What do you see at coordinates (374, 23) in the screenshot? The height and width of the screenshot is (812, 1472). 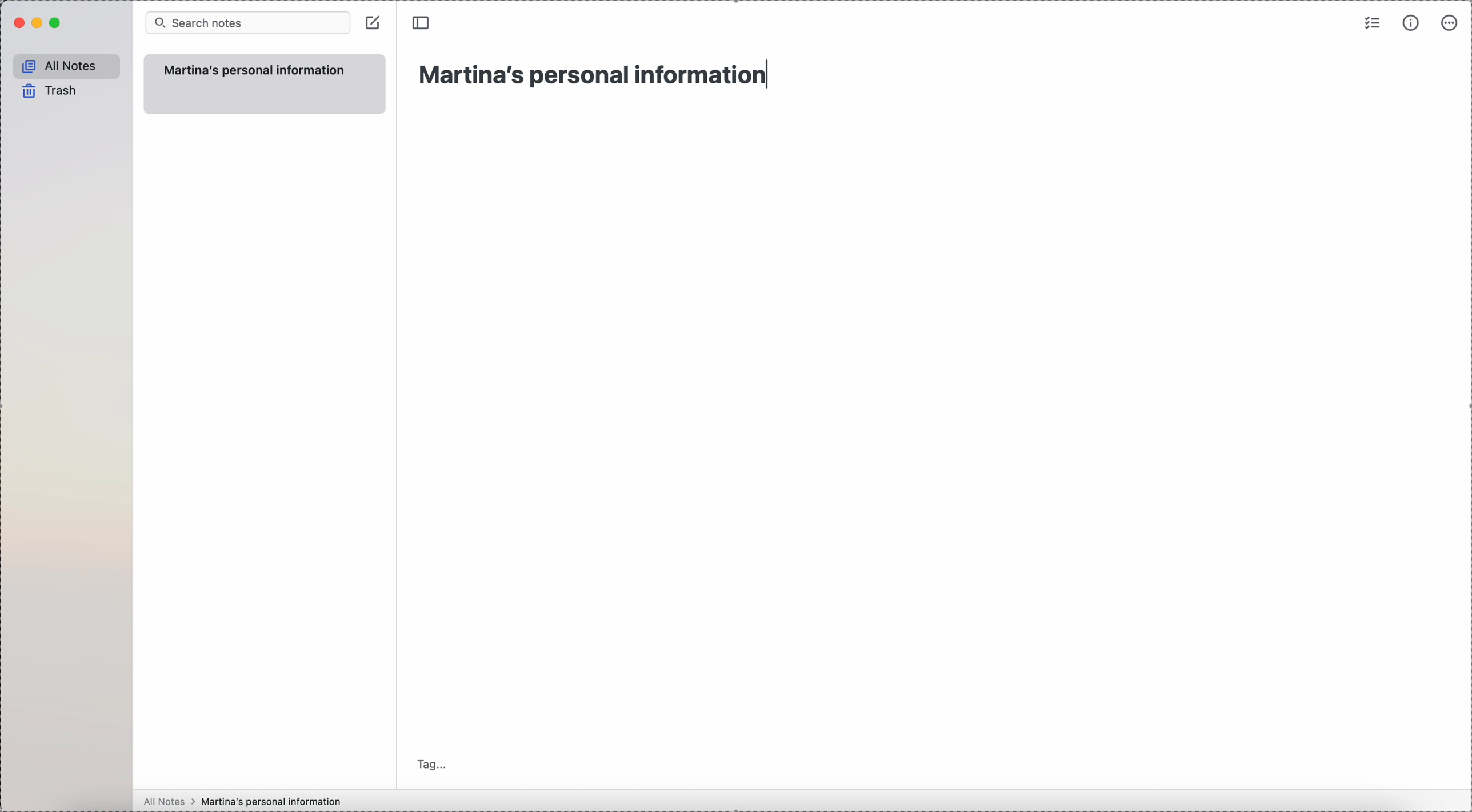 I see `create note` at bounding box center [374, 23].